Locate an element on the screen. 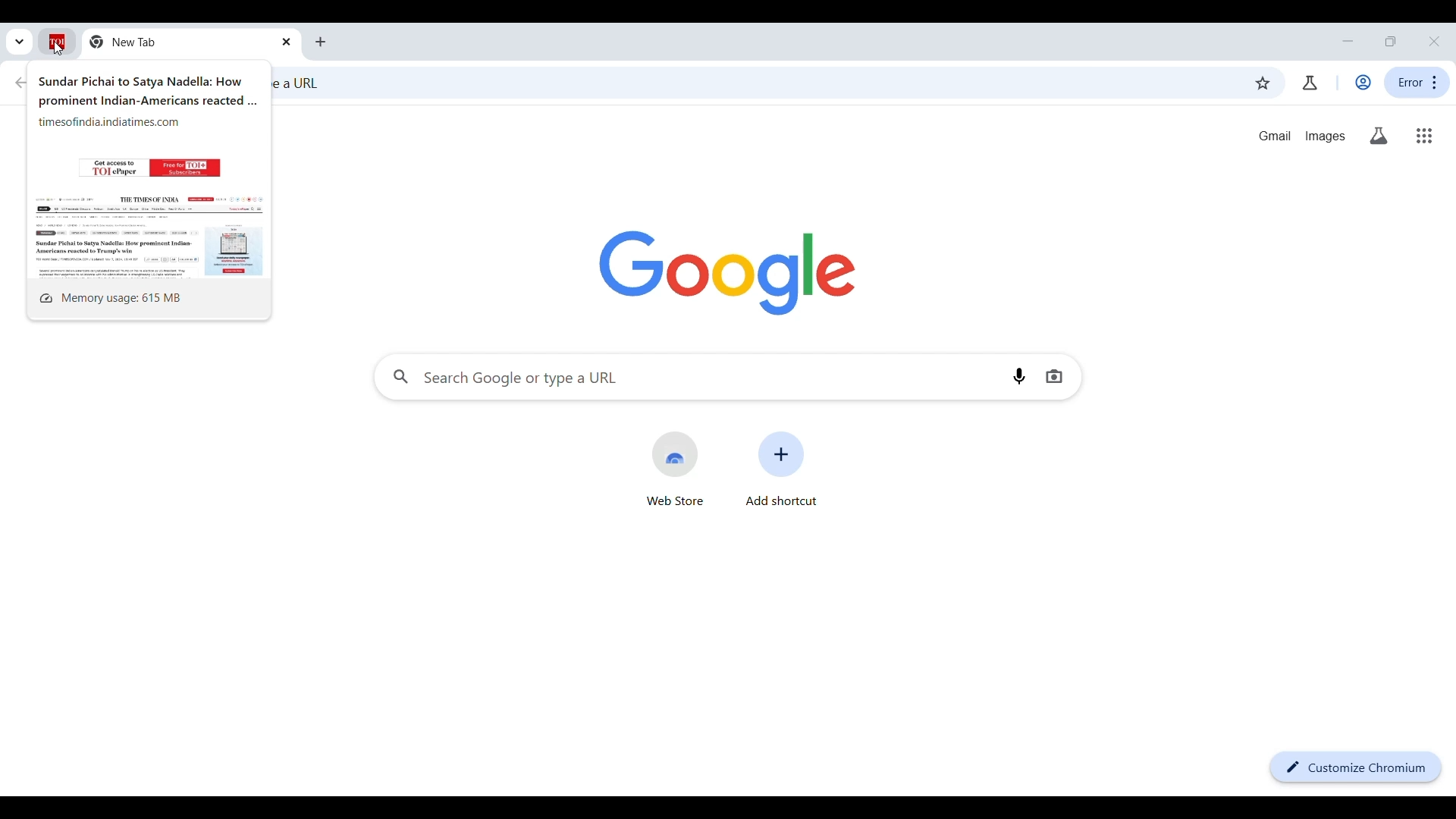 The height and width of the screenshot is (819, 1456). Search by voice is located at coordinates (1019, 376).